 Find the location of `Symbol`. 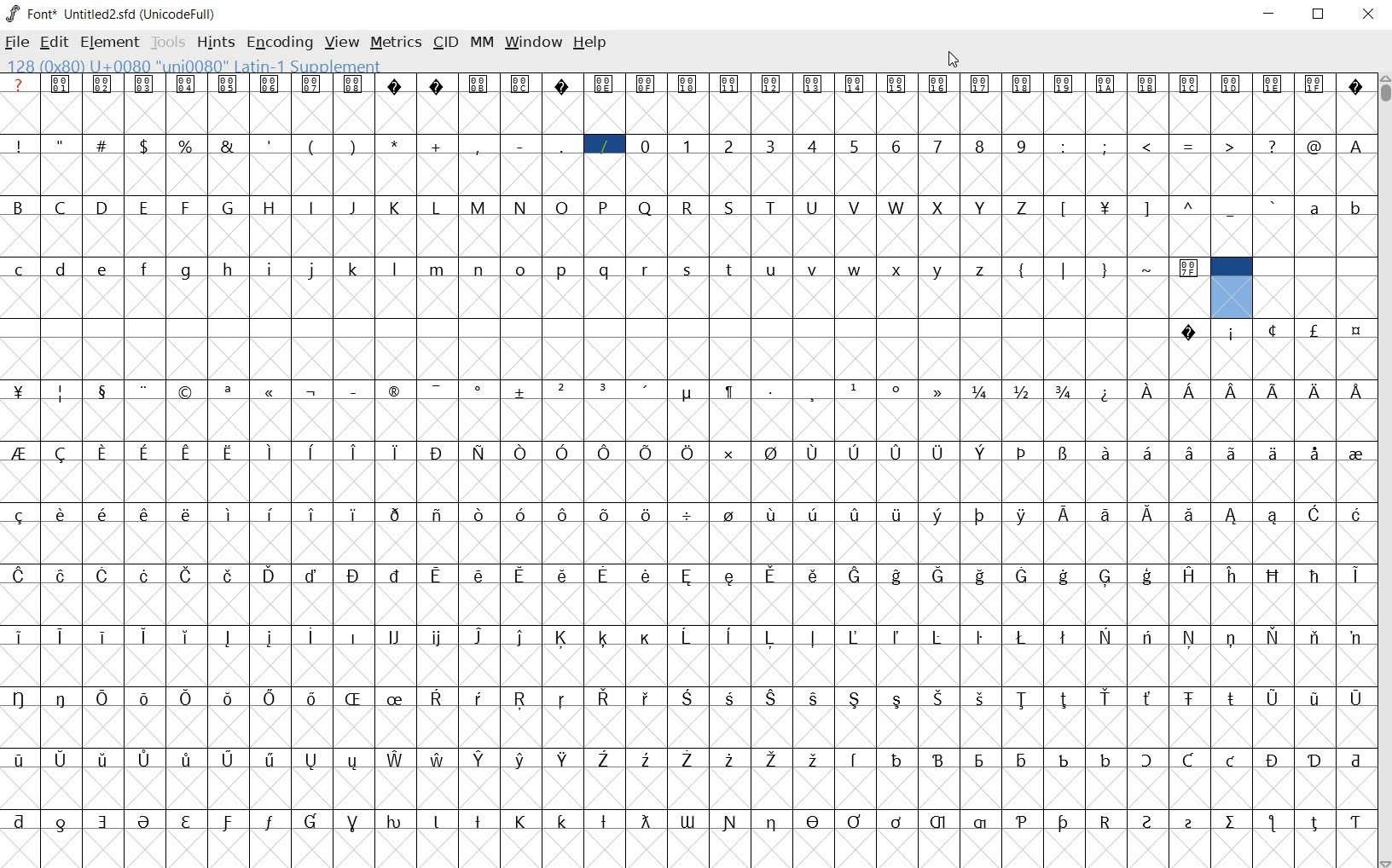

Symbol is located at coordinates (562, 452).